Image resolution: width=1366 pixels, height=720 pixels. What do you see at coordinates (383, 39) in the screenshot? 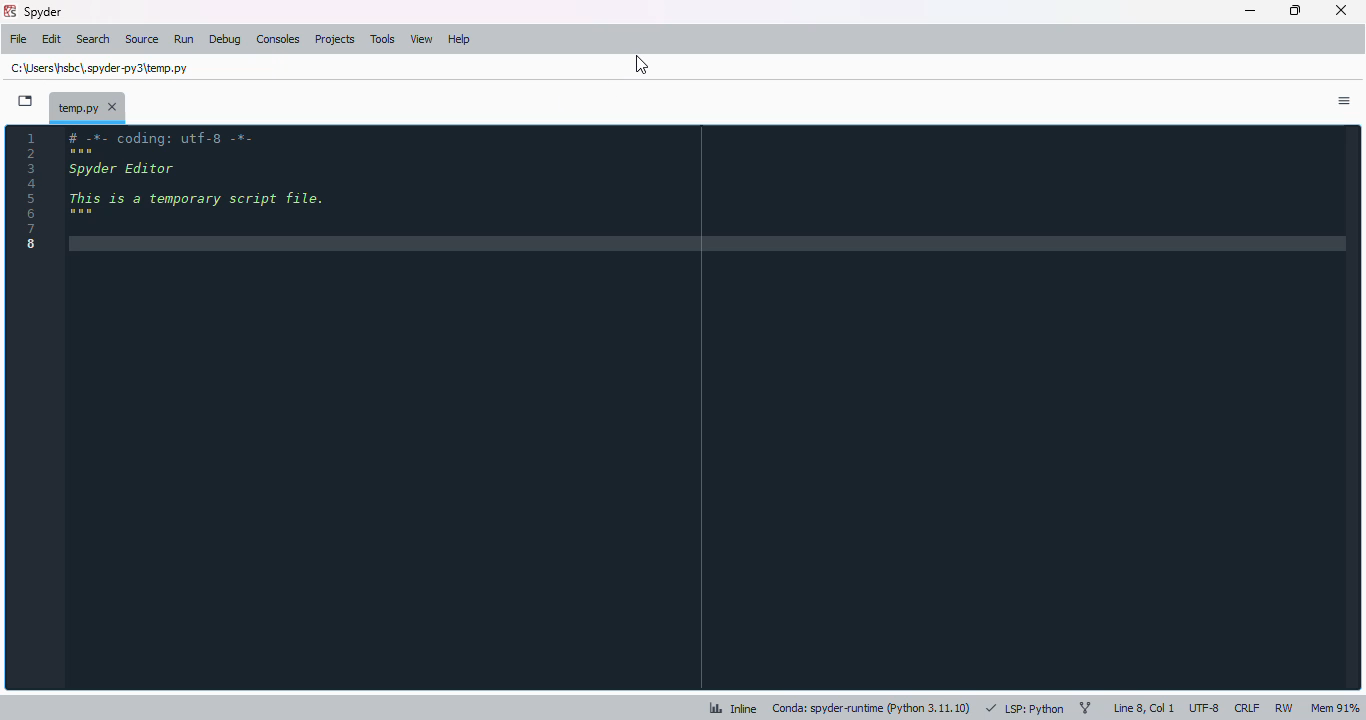
I see `tools` at bounding box center [383, 39].